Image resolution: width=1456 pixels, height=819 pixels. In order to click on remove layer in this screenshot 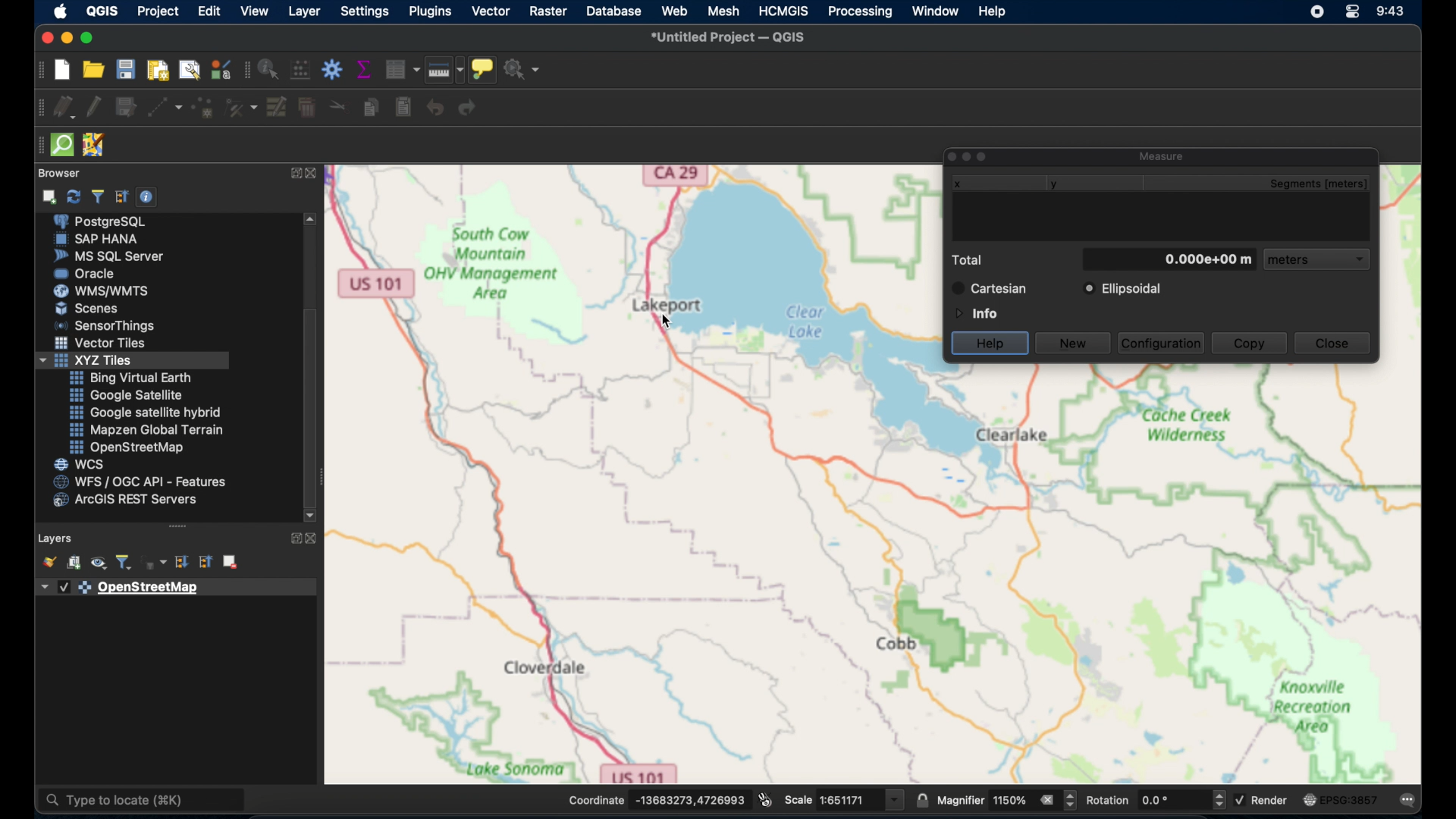, I will do `click(230, 560)`.